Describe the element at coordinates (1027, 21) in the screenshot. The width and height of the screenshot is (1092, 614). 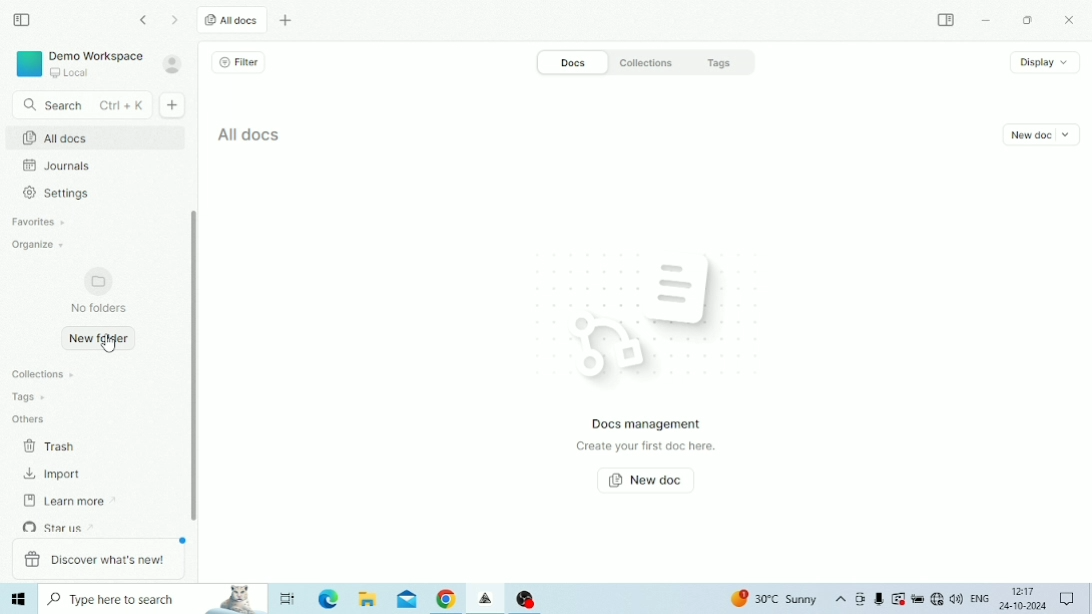
I see `Restore Down` at that location.